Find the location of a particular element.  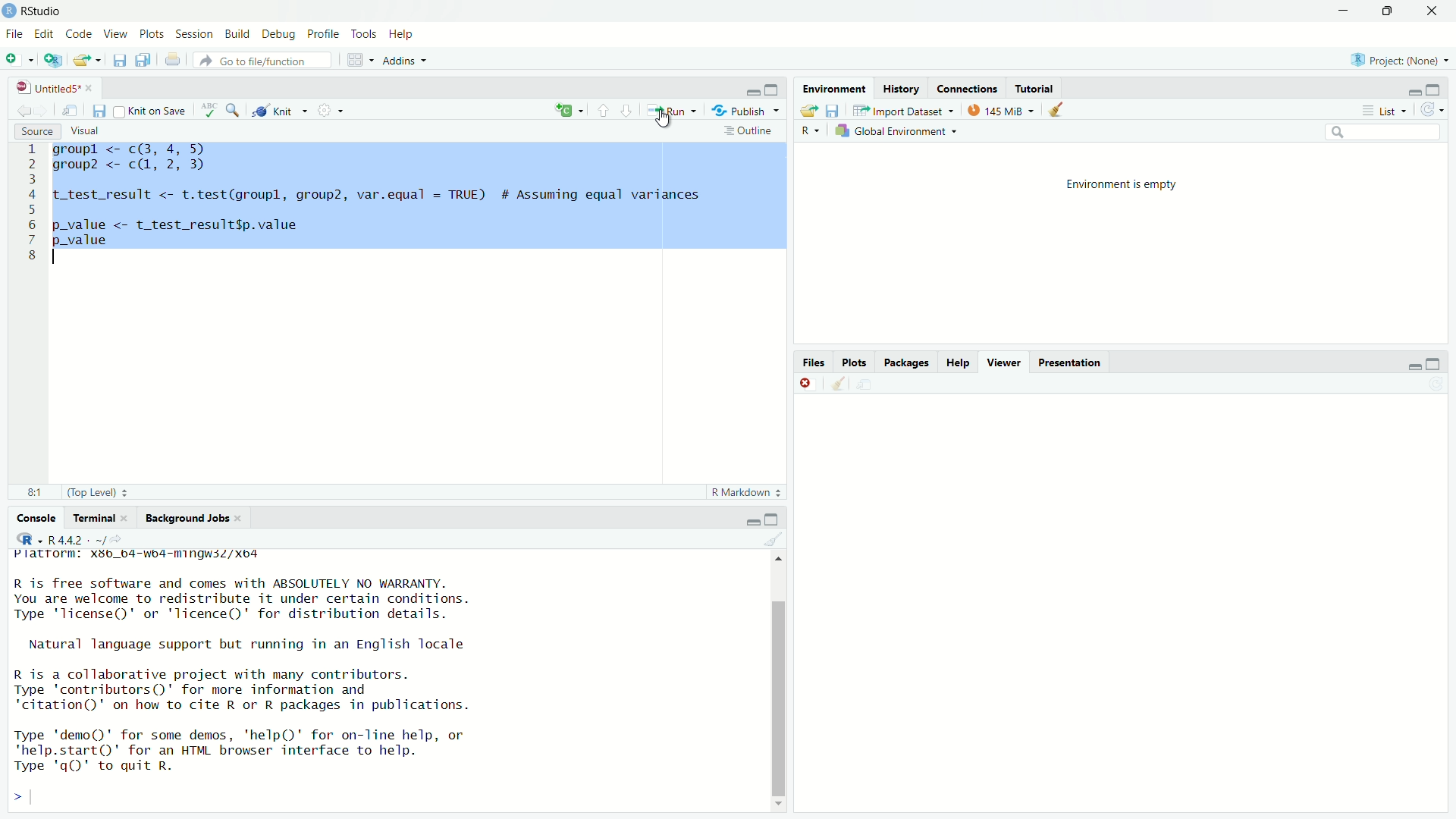

R 4.4.2 is located at coordinates (77, 539).